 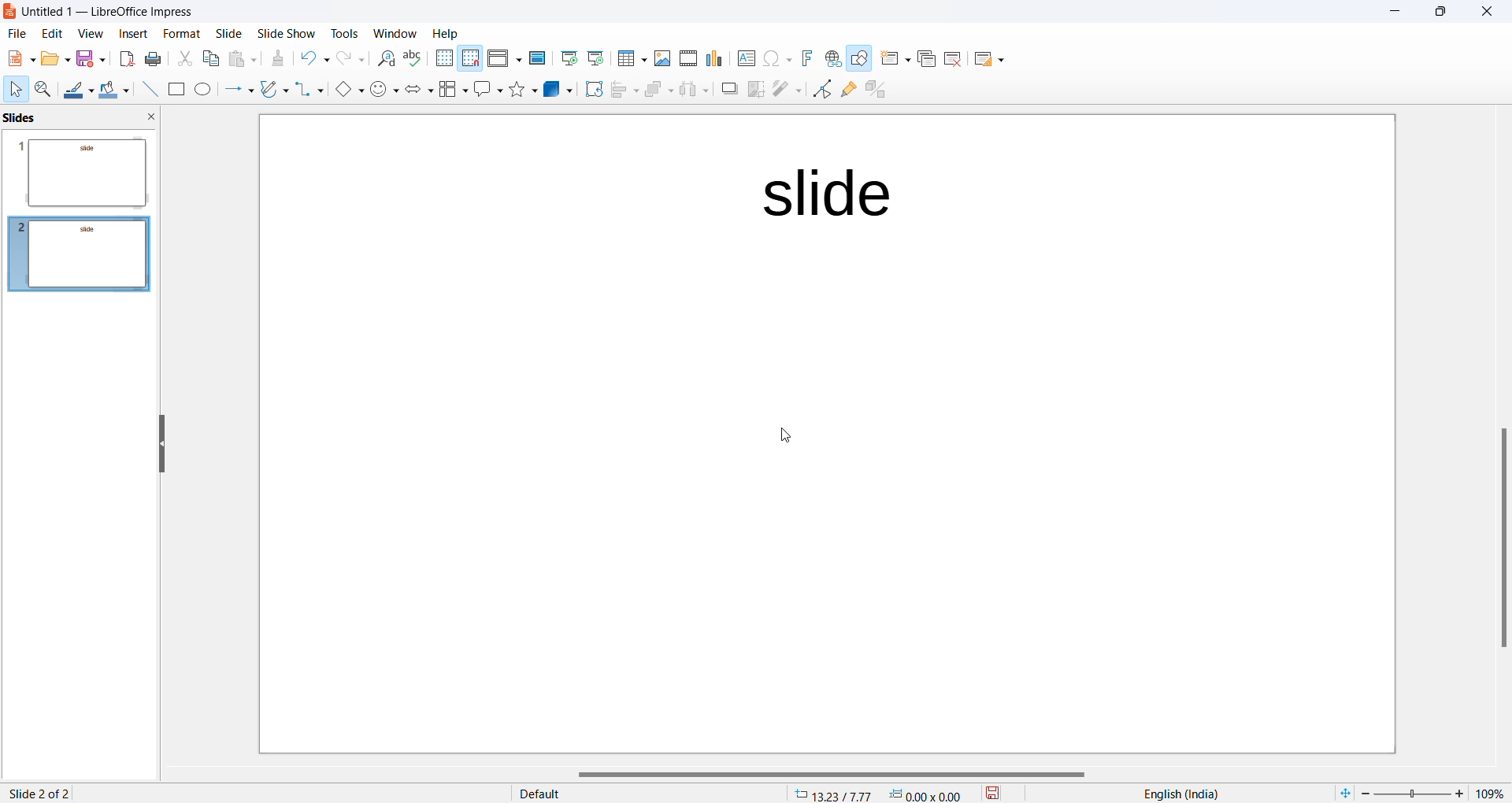 I want to click on Insert audio and video, so click(x=686, y=57).